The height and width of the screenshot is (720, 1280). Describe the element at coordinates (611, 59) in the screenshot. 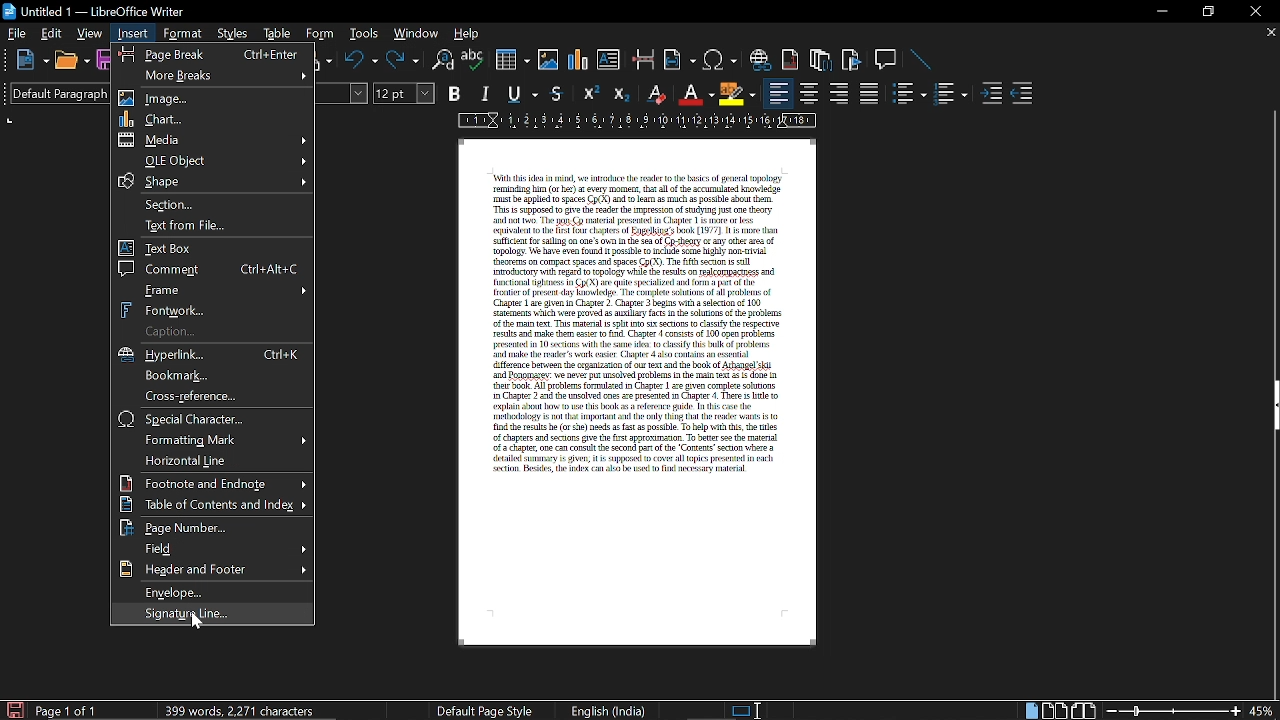

I see `insert text` at that location.